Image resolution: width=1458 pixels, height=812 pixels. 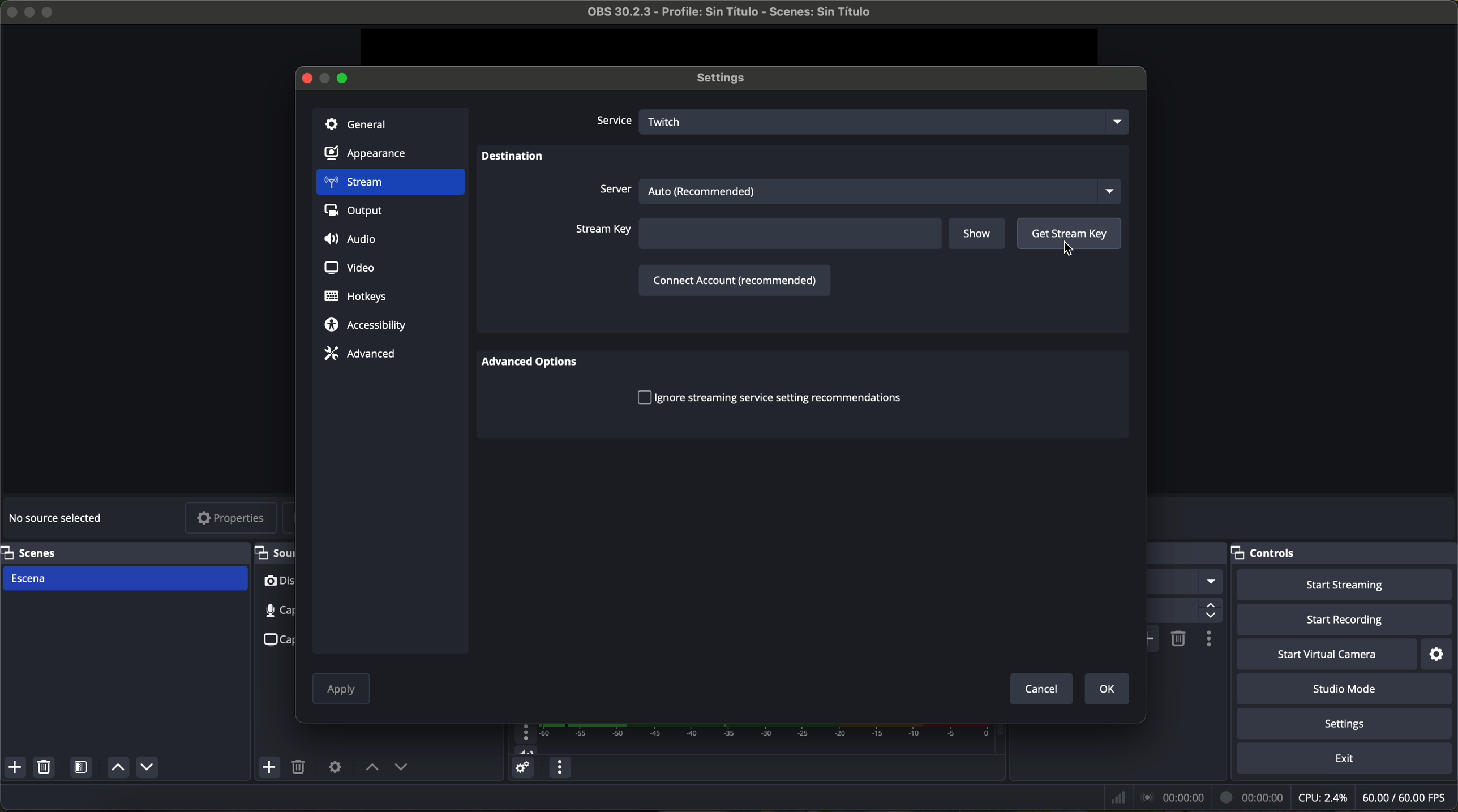 What do you see at coordinates (536, 363) in the screenshot?
I see `advanced options` at bounding box center [536, 363].